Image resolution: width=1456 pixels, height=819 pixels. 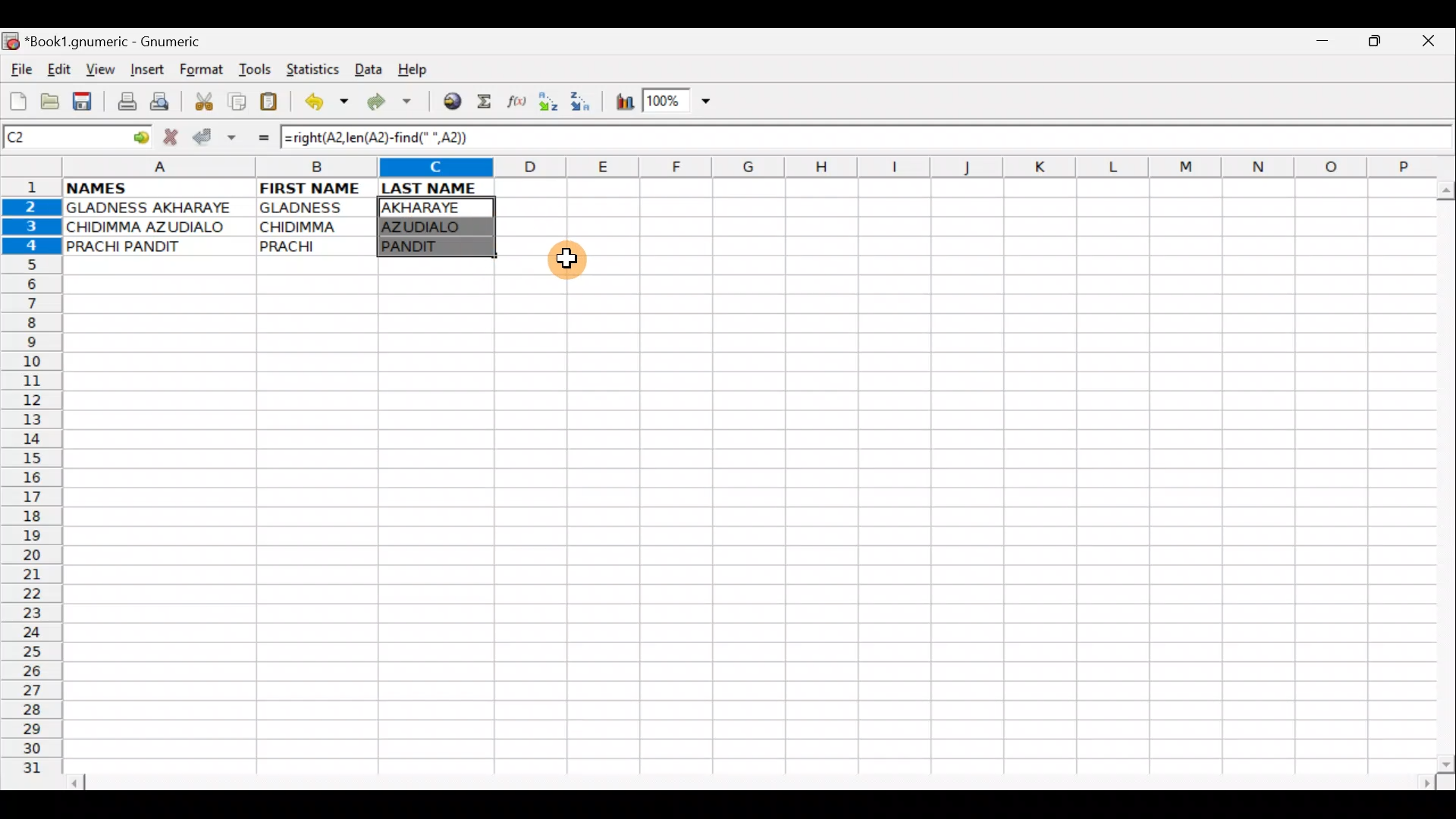 I want to click on Create new workbook, so click(x=17, y=99).